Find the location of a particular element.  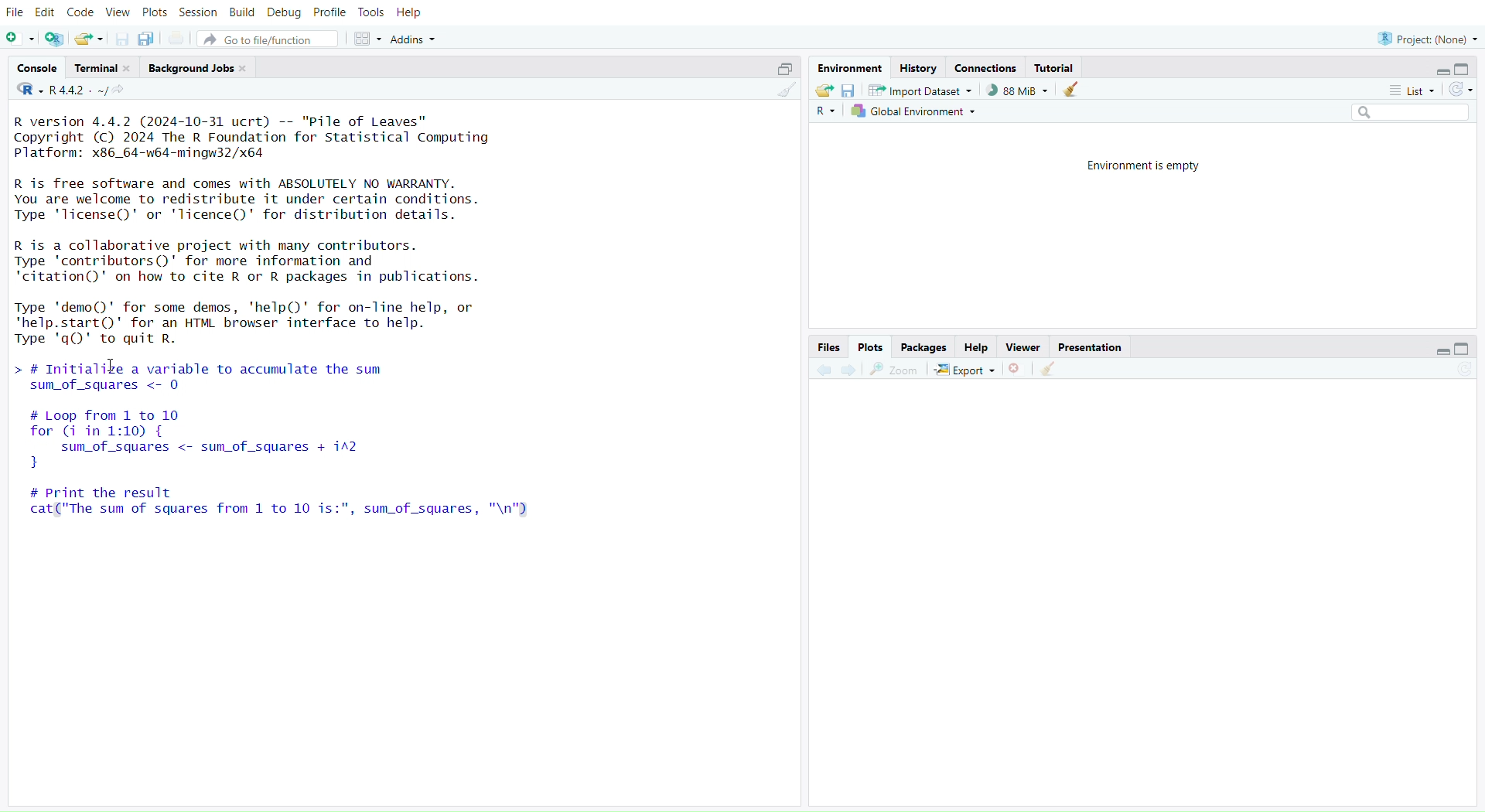

go to file/function is located at coordinates (268, 40).